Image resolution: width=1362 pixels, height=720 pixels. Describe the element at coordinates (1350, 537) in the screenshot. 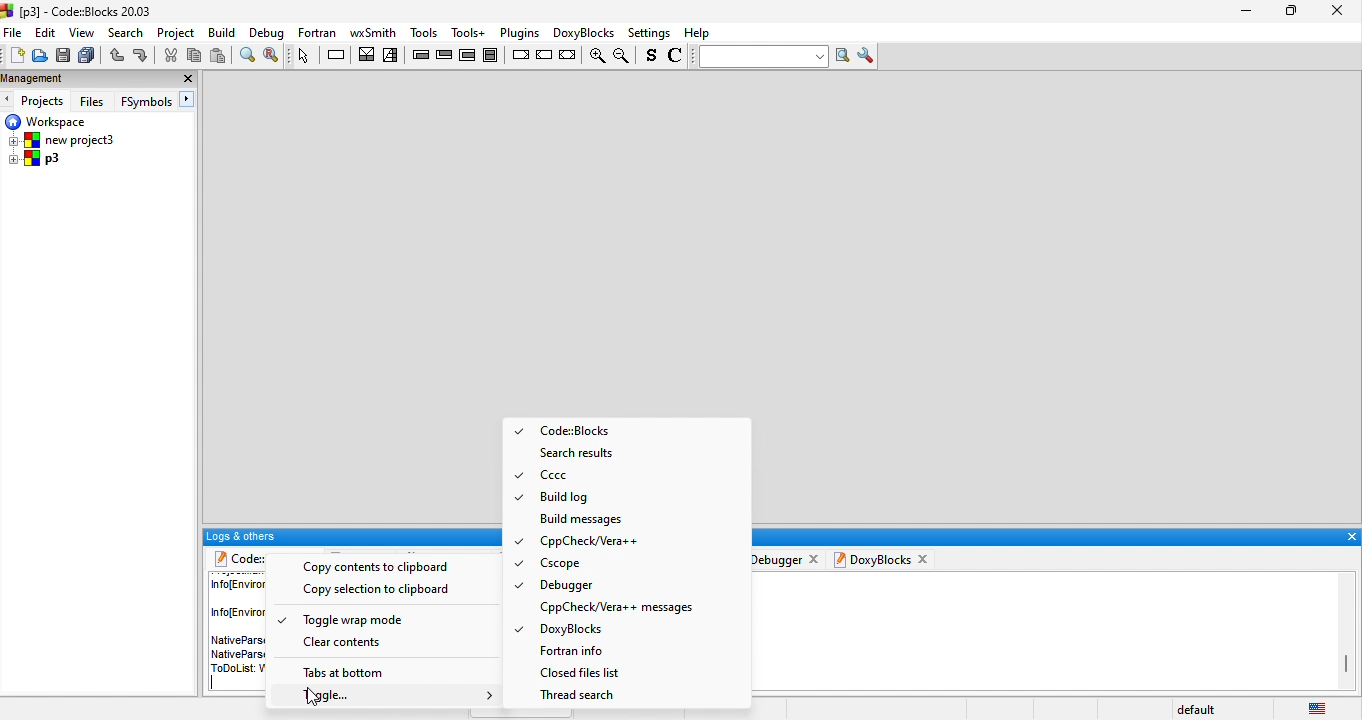

I see `close` at that location.